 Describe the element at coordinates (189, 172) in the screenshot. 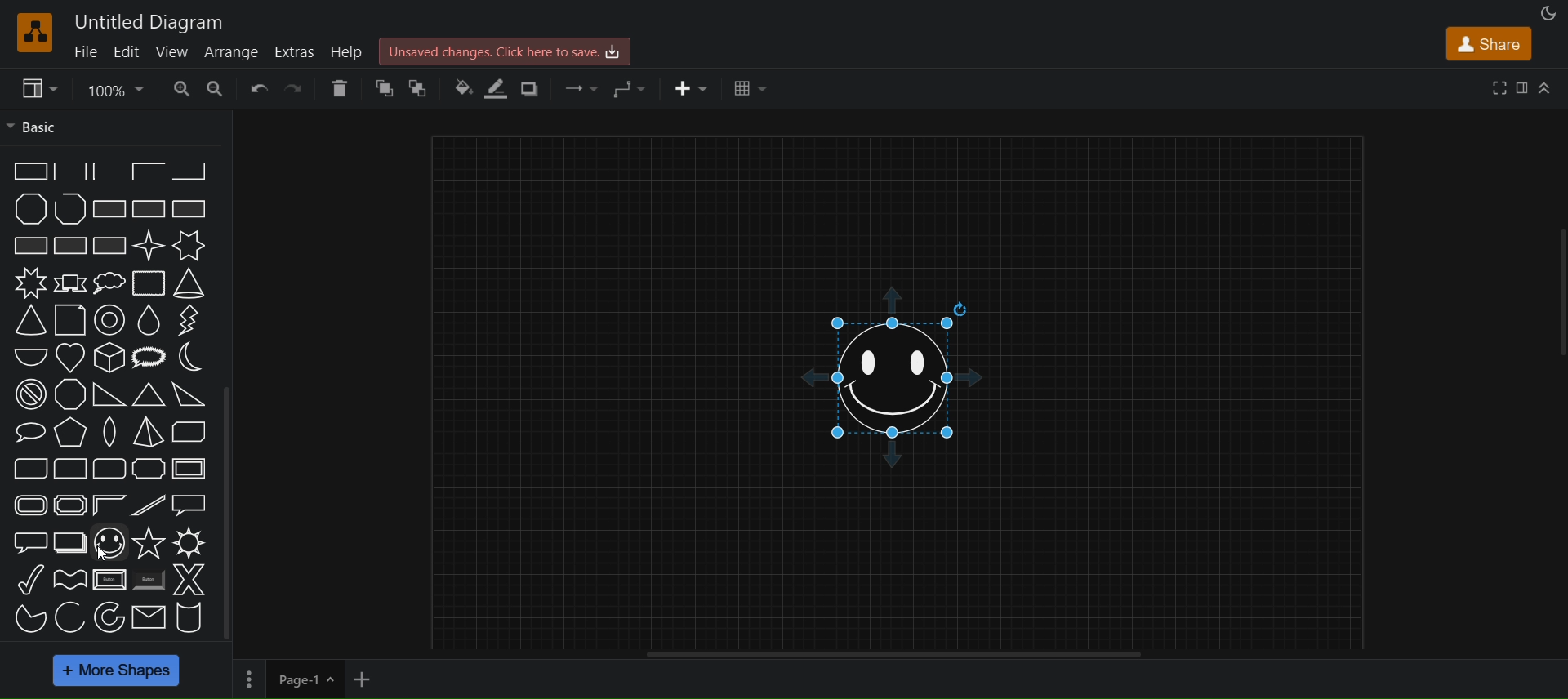

I see `partial rectangle` at that location.